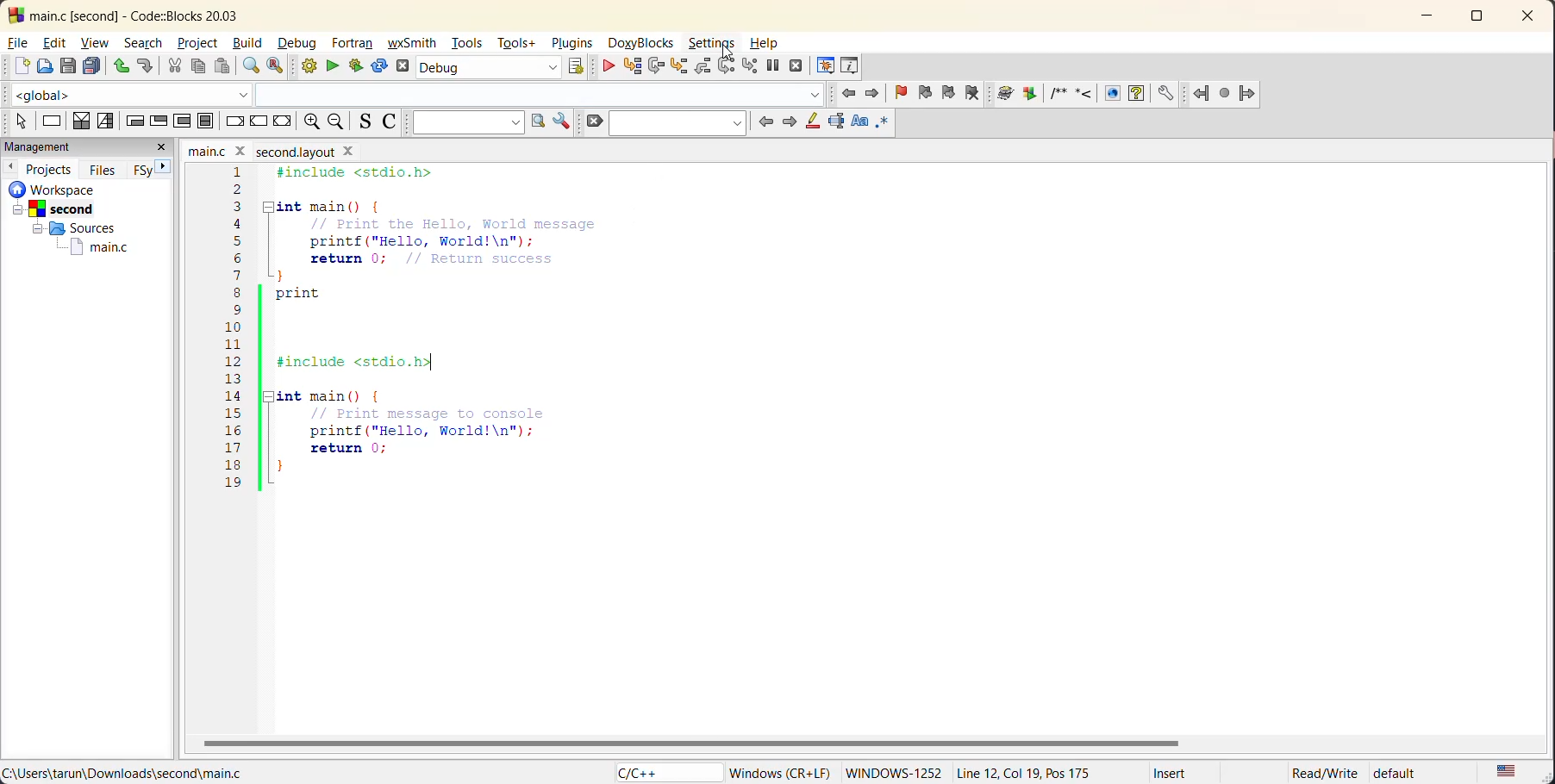 The height and width of the screenshot is (784, 1555). What do you see at coordinates (250, 45) in the screenshot?
I see `build` at bounding box center [250, 45].